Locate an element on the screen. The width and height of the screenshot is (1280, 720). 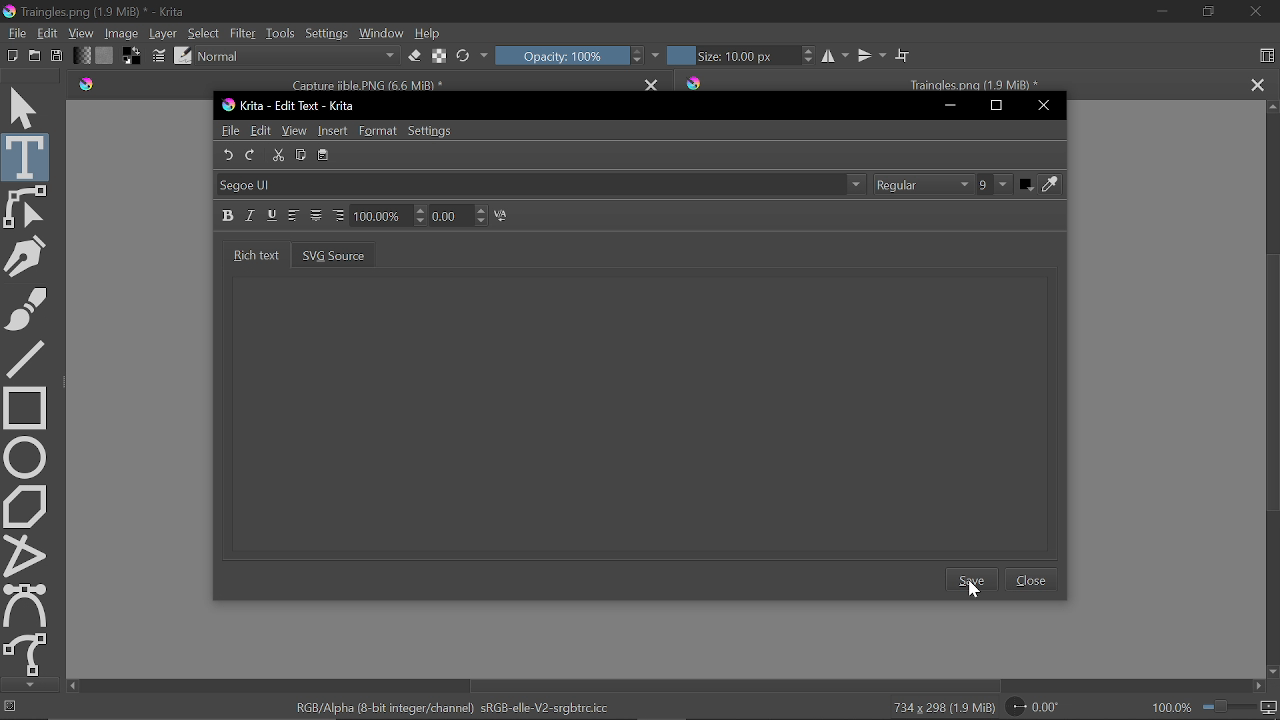
Window is located at coordinates (380, 33).